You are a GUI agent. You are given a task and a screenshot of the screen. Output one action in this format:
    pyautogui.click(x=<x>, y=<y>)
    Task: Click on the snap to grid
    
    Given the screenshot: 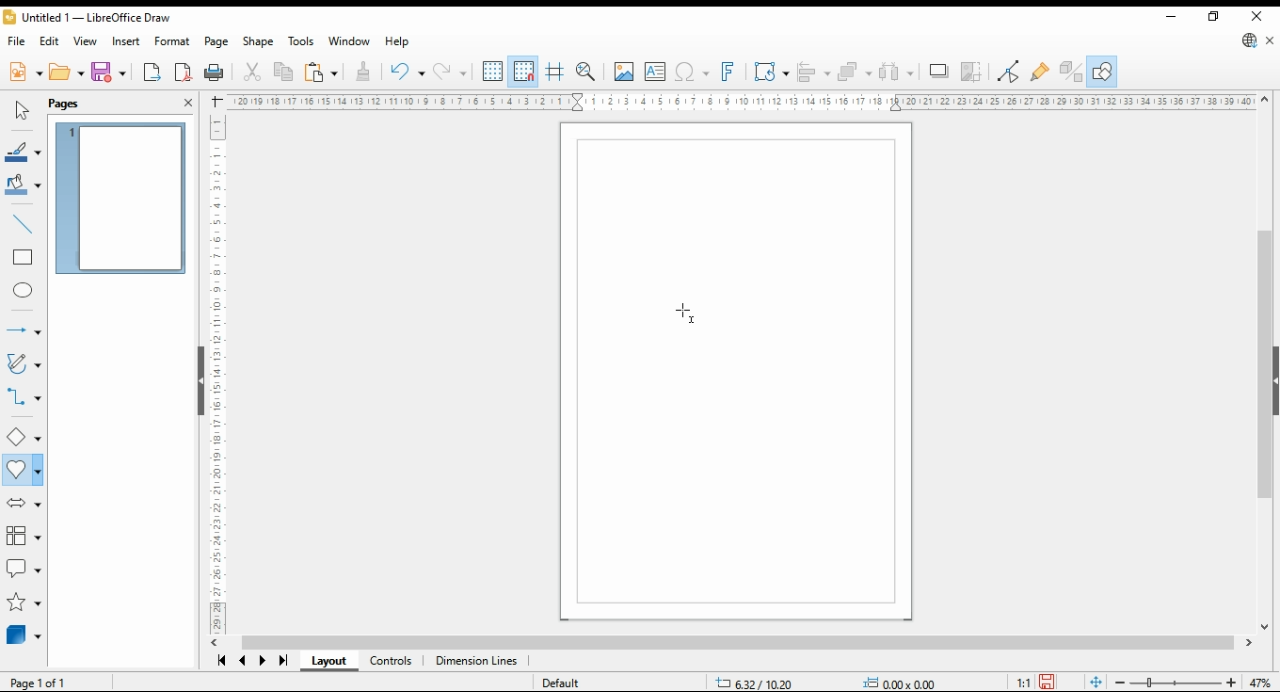 What is the action you would take?
    pyautogui.click(x=524, y=70)
    